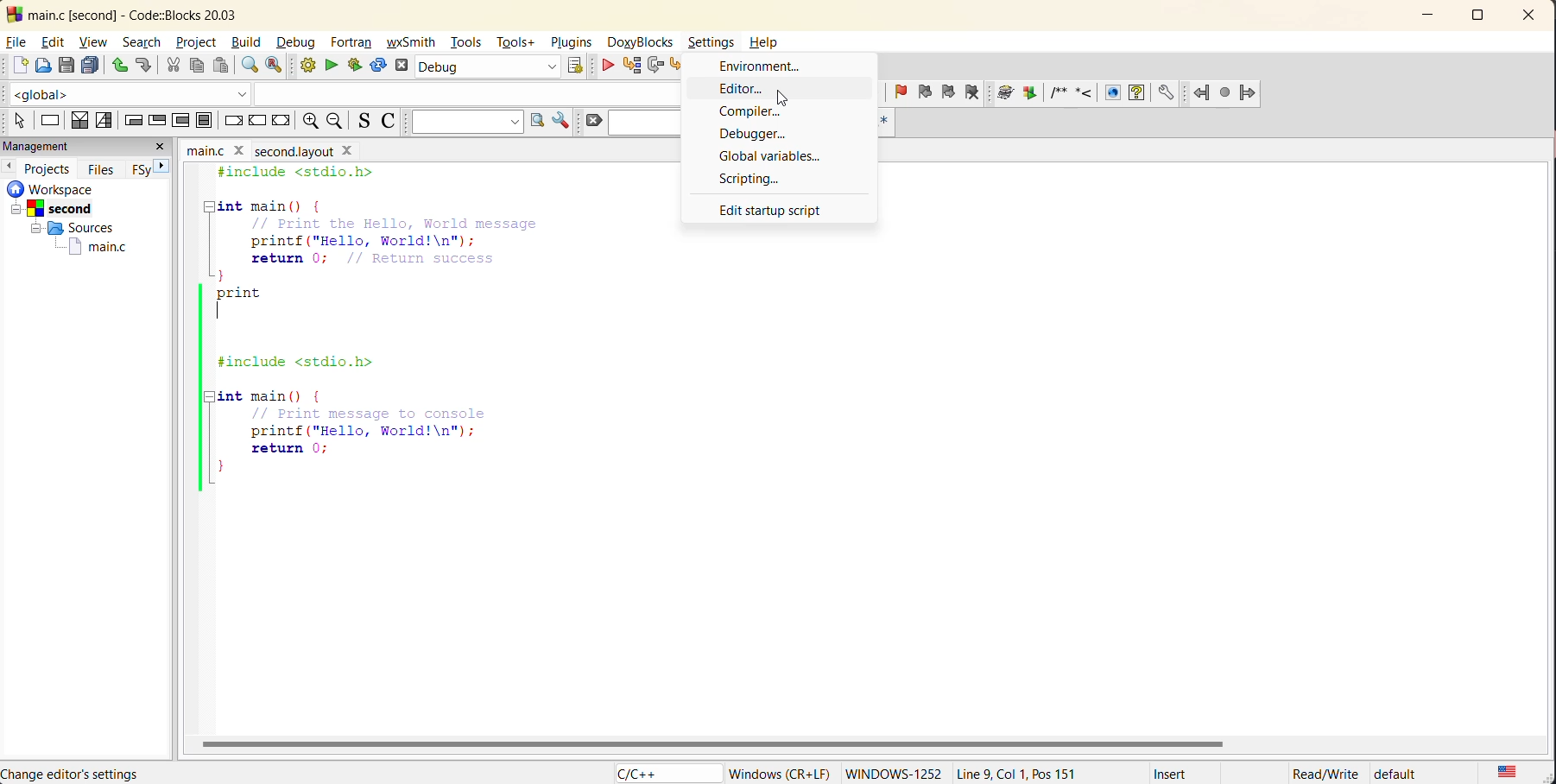 This screenshot has height=784, width=1556. What do you see at coordinates (1032, 769) in the screenshot?
I see `Line 9, Col 1, Pos 151` at bounding box center [1032, 769].